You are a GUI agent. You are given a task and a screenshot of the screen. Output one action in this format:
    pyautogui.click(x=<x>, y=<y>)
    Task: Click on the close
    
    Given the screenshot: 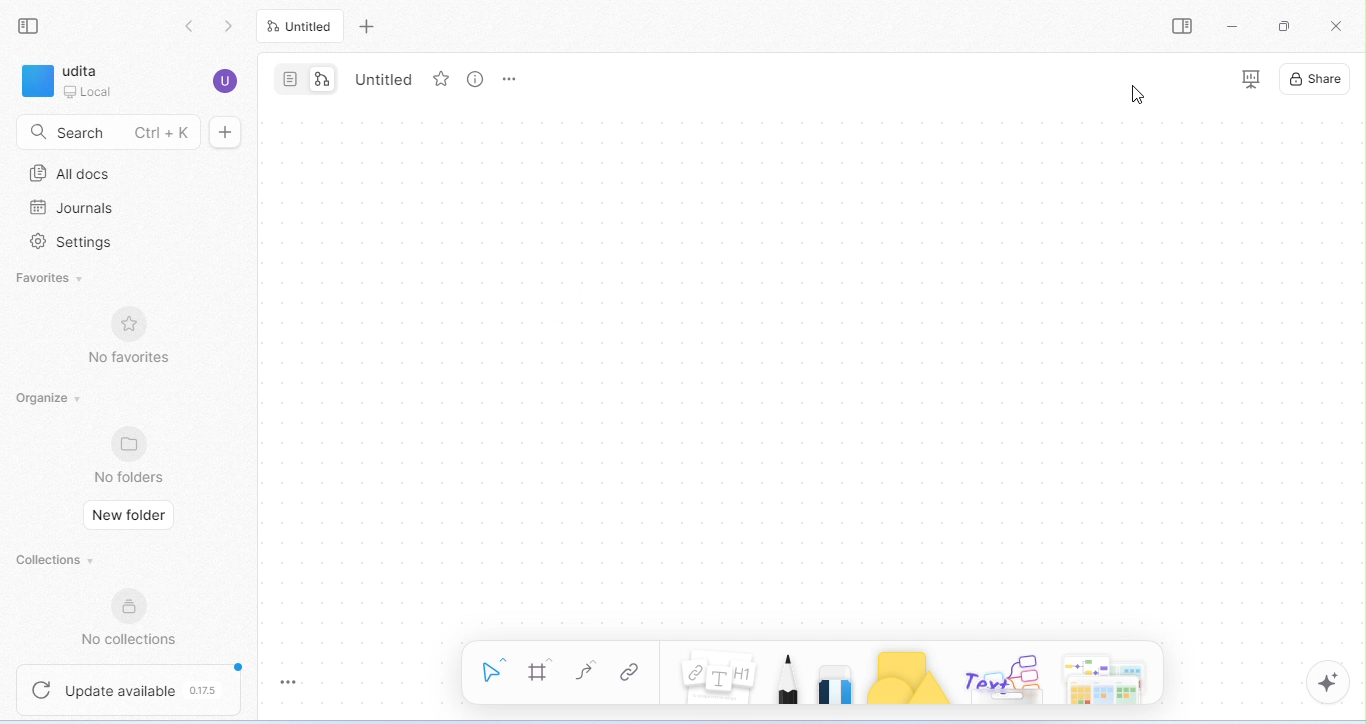 What is the action you would take?
    pyautogui.click(x=1336, y=26)
    